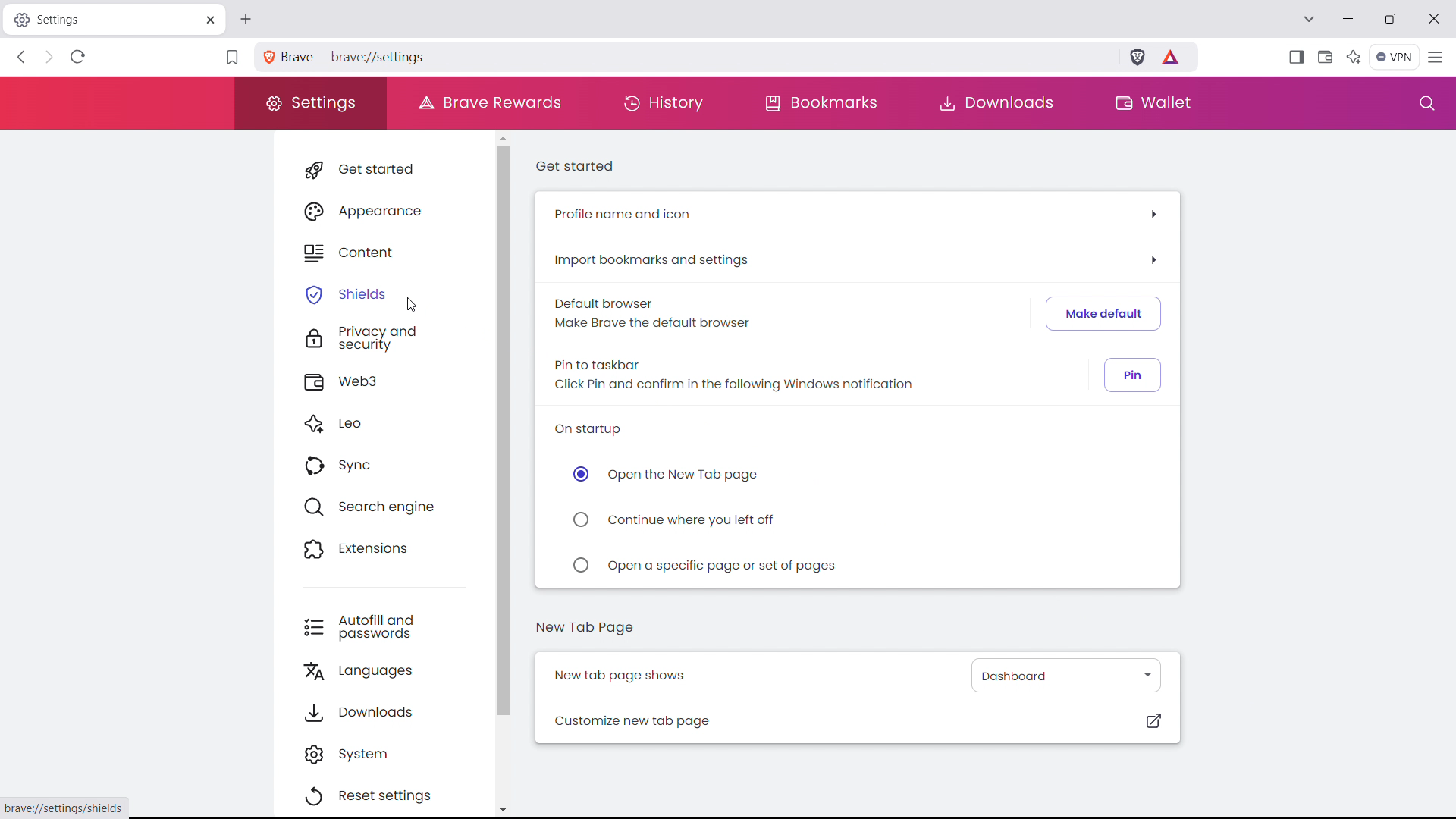 The width and height of the screenshot is (1456, 819). Describe the element at coordinates (384, 547) in the screenshot. I see `extensions` at that location.